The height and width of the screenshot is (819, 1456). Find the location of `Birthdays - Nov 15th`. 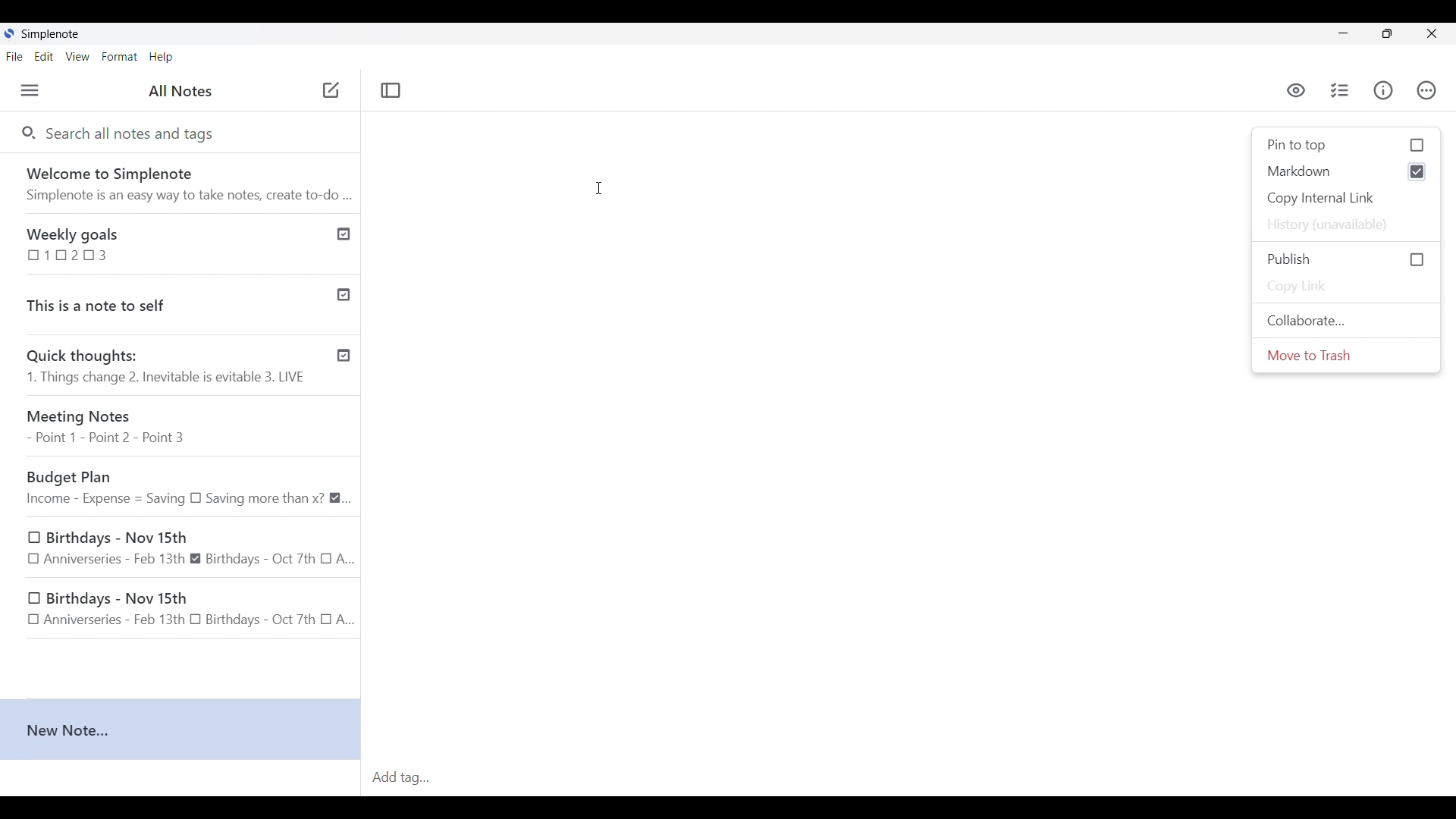

Birthdays - Nov 15th is located at coordinates (184, 610).